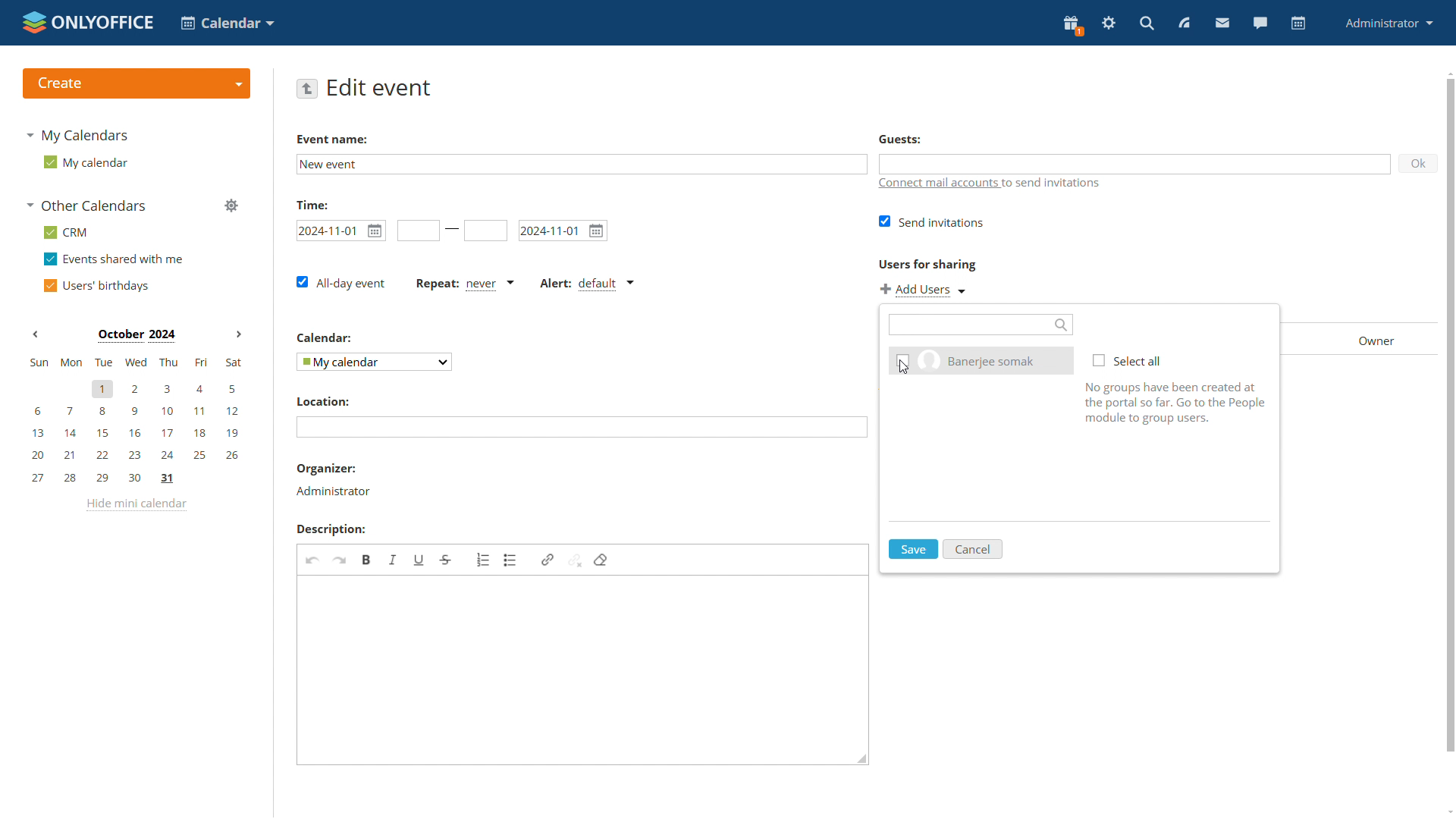 The width and height of the screenshot is (1456, 819). Describe the element at coordinates (83, 137) in the screenshot. I see `my calendars` at that location.